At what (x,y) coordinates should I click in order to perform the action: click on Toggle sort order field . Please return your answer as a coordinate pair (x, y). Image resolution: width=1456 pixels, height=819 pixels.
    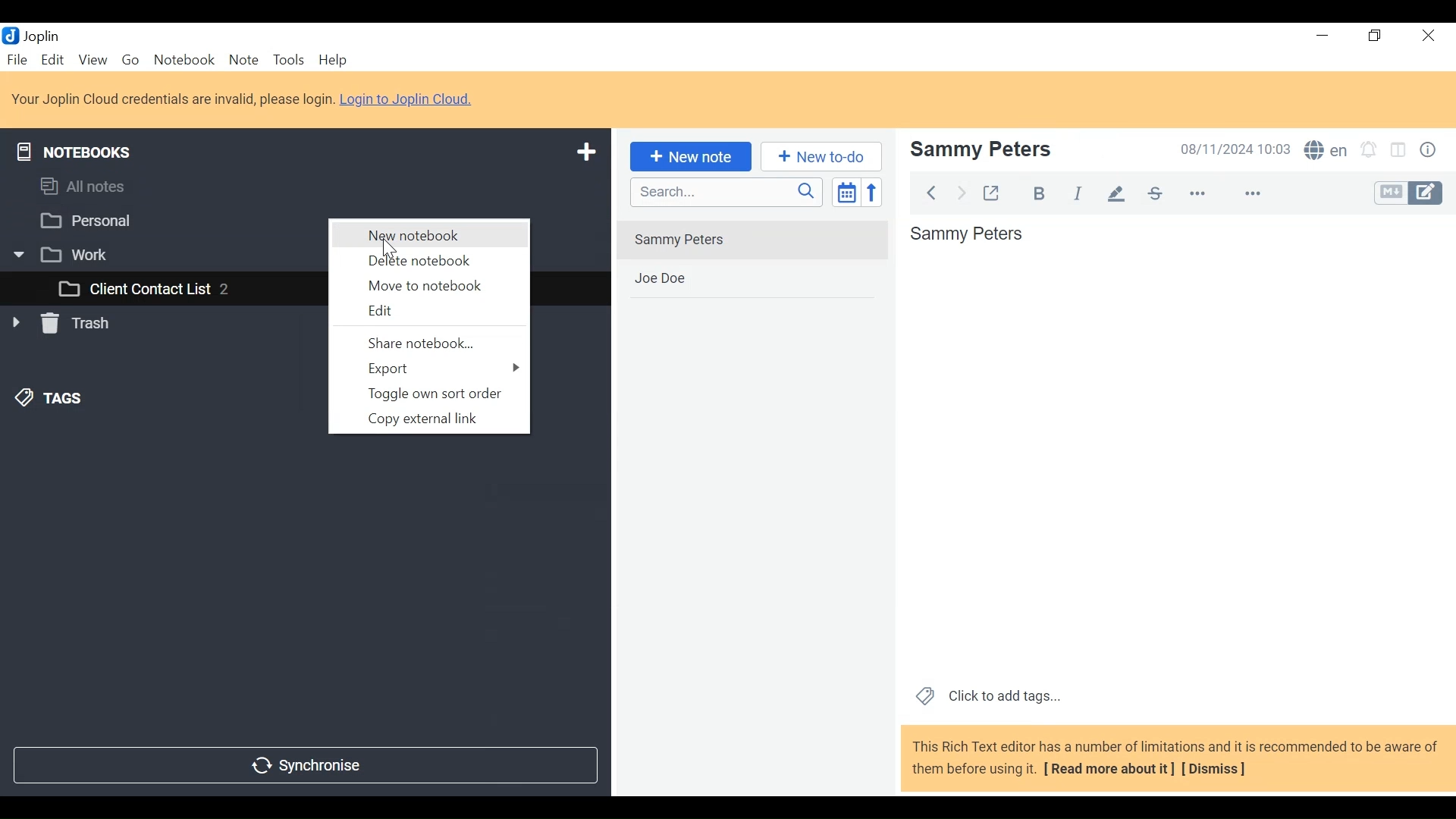
    Looking at the image, I should click on (848, 193).